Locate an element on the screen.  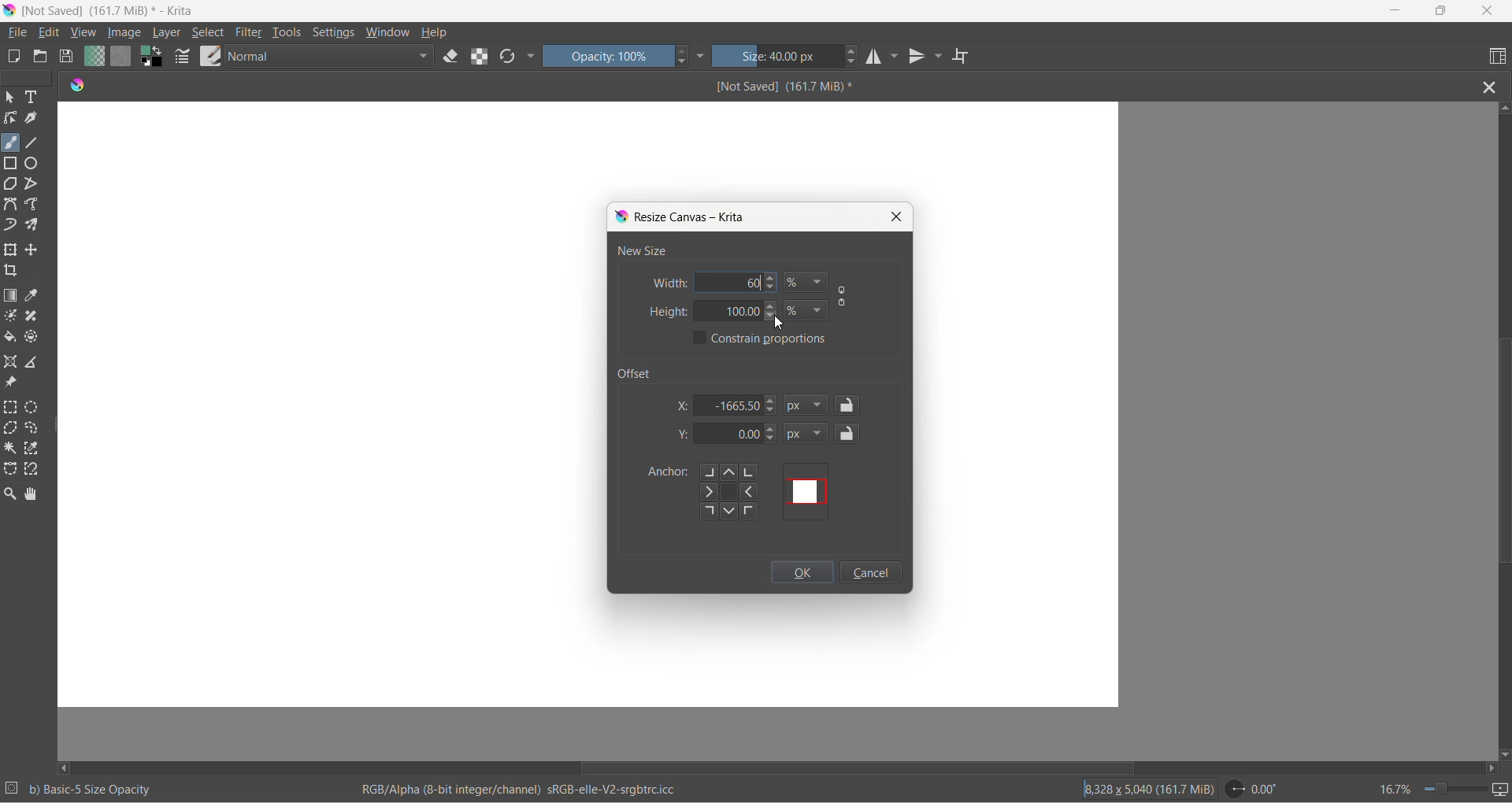
opacity information is located at coordinates (92, 790).